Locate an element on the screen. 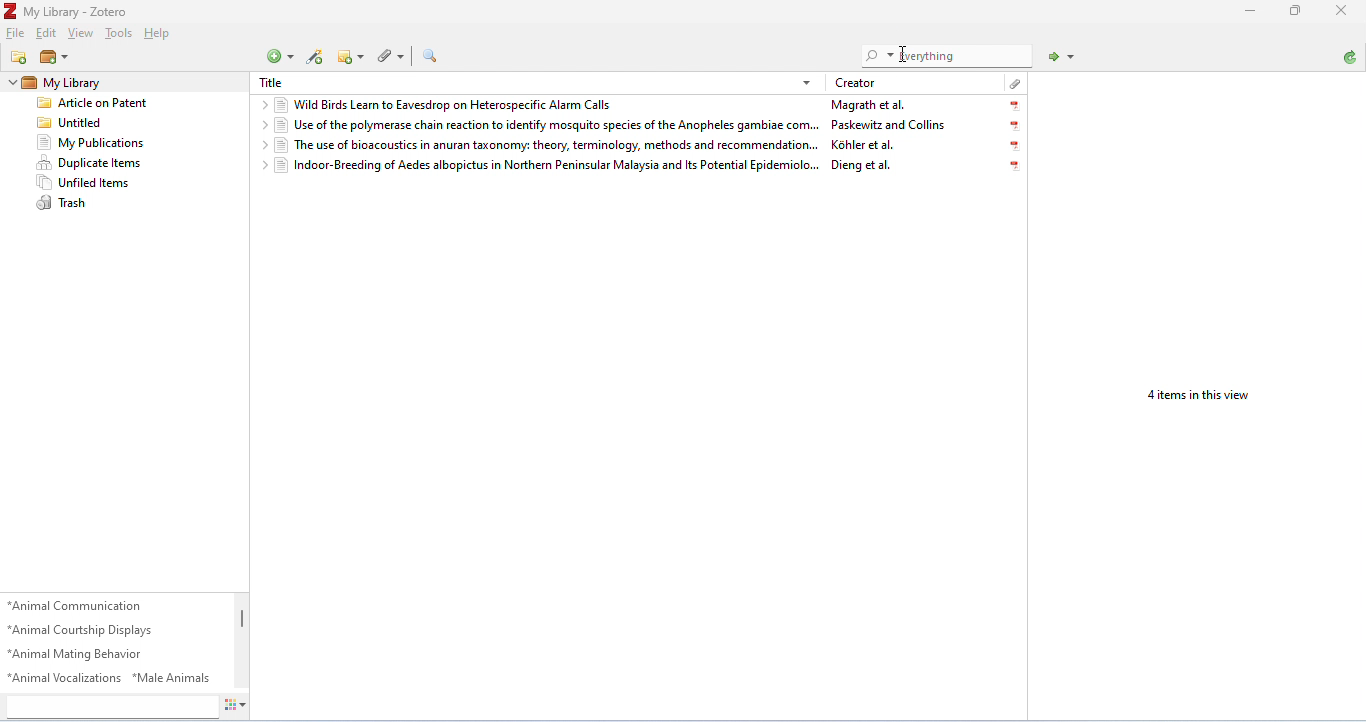  Close is located at coordinates (1344, 10).